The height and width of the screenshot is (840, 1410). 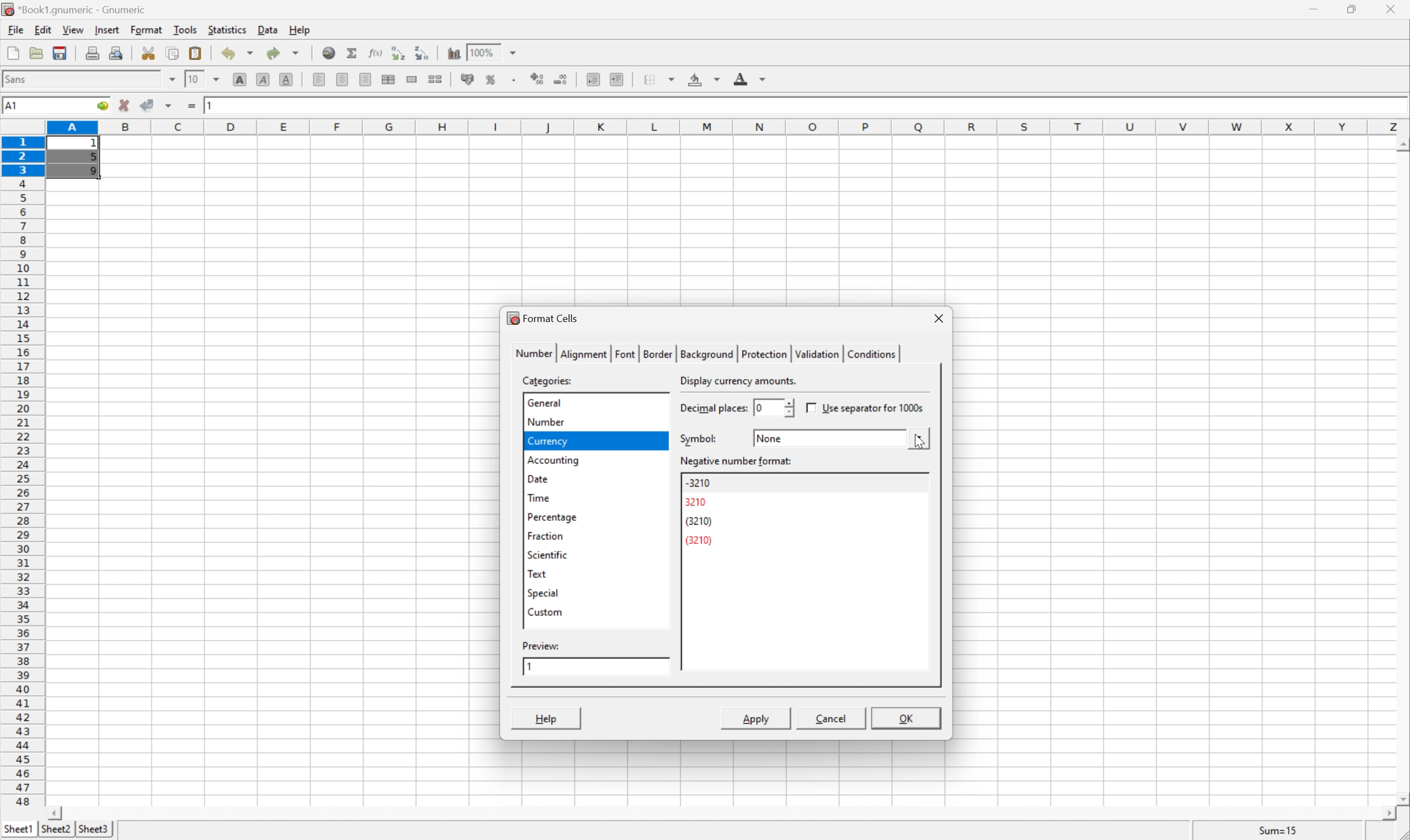 What do you see at coordinates (242, 80) in the screenshot?
I see `bold` at bounding box center [242, 80].